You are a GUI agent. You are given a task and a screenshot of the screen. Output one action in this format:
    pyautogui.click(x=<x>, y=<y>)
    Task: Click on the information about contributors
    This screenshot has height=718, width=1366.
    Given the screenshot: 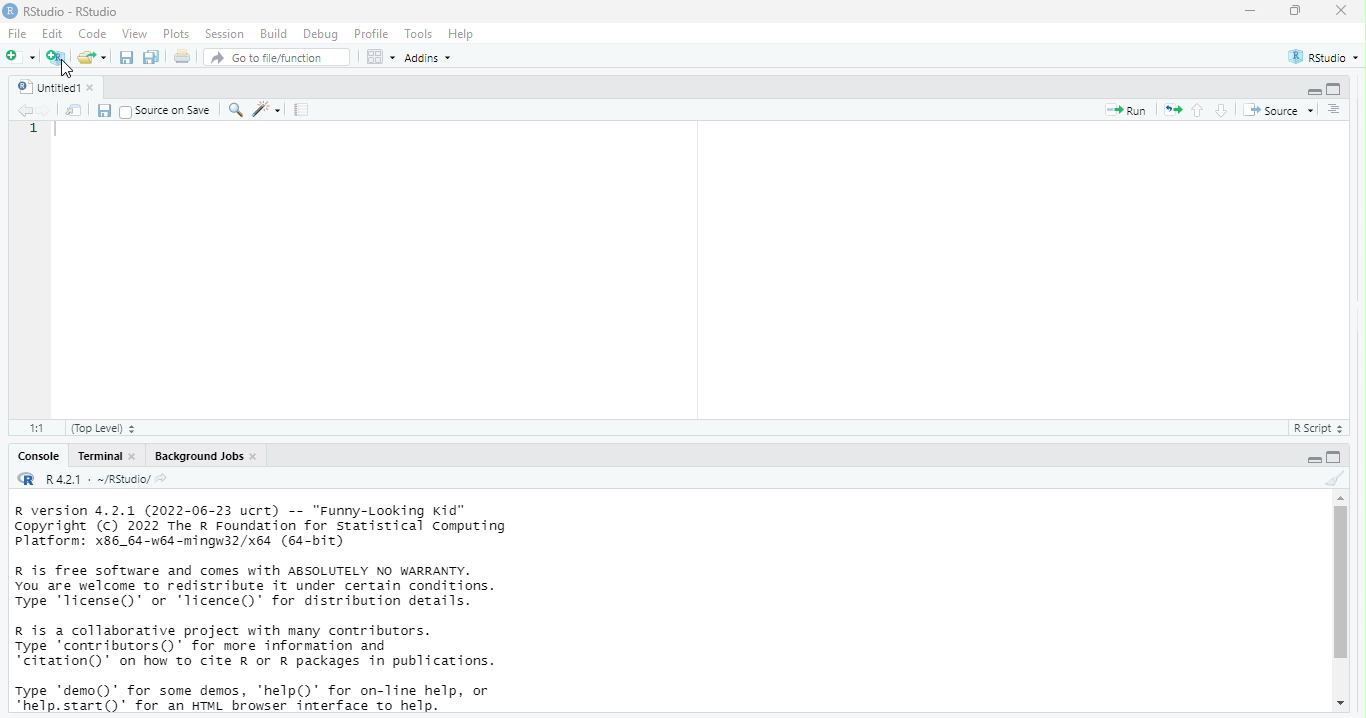 What is the action you would take?
    pyautogui.click(x=260, y=645)
    